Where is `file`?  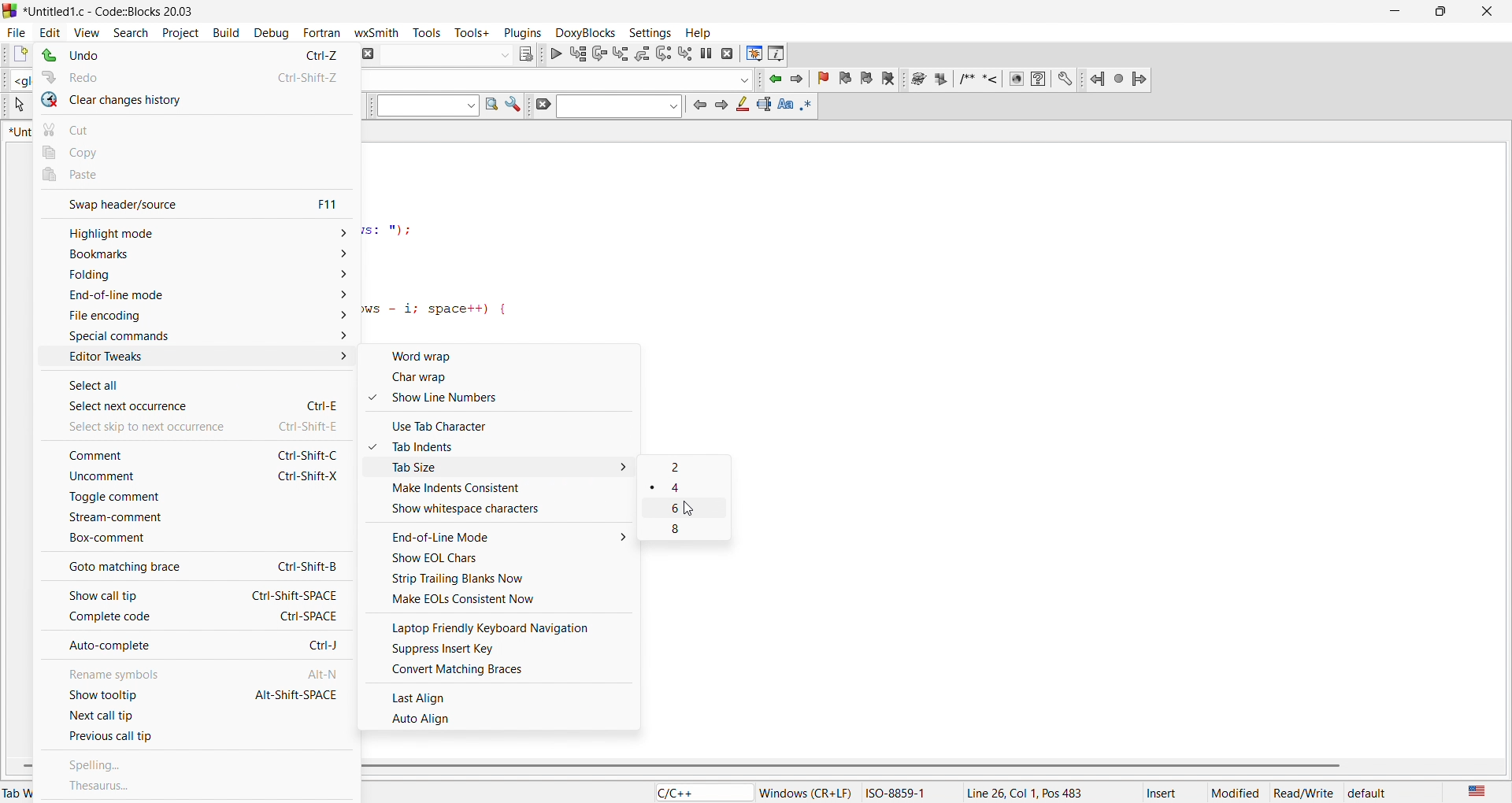
file is located at coordinates (17, 30).